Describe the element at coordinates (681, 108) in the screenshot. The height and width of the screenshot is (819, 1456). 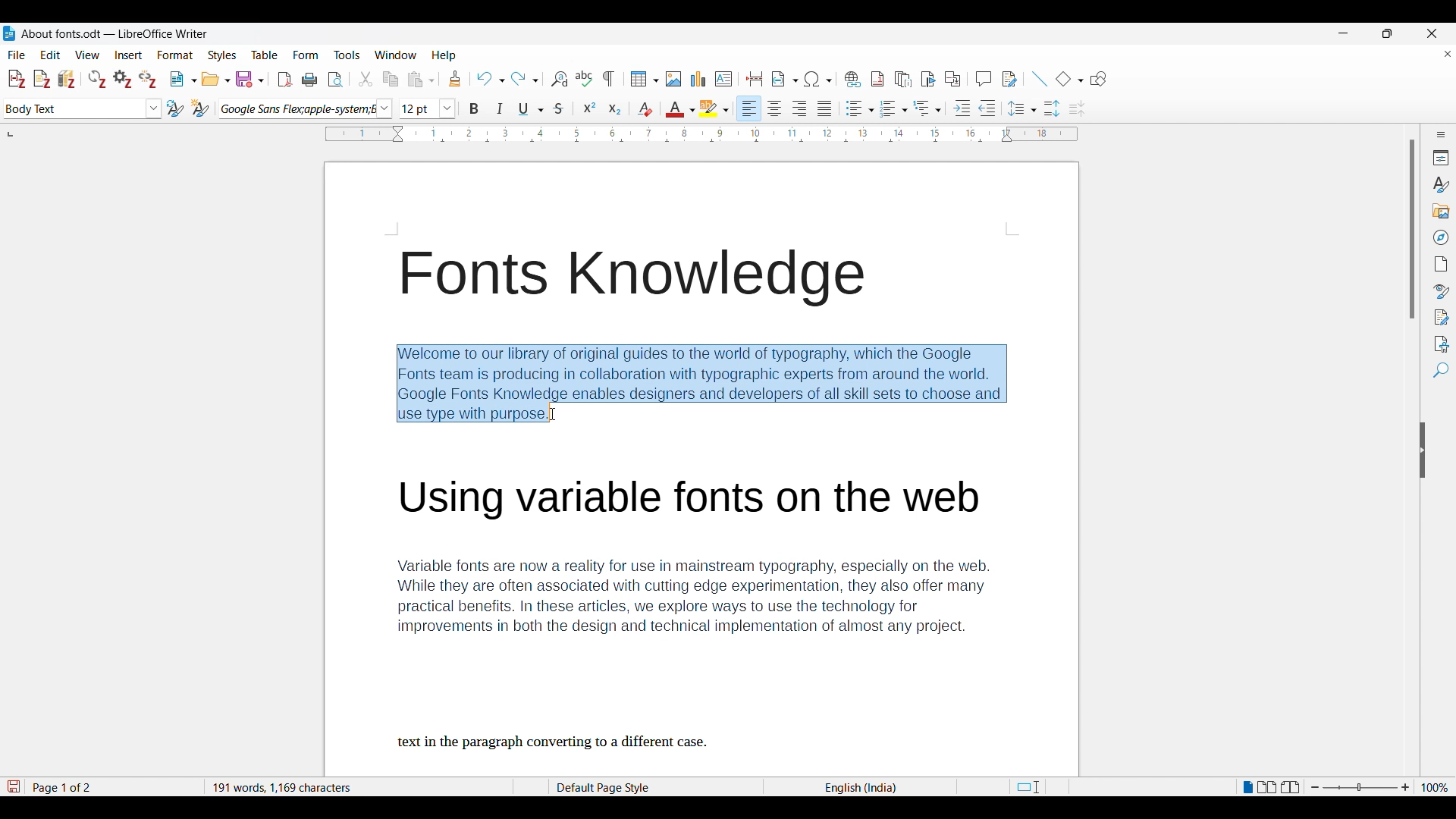
I see `Text color options` at that location.